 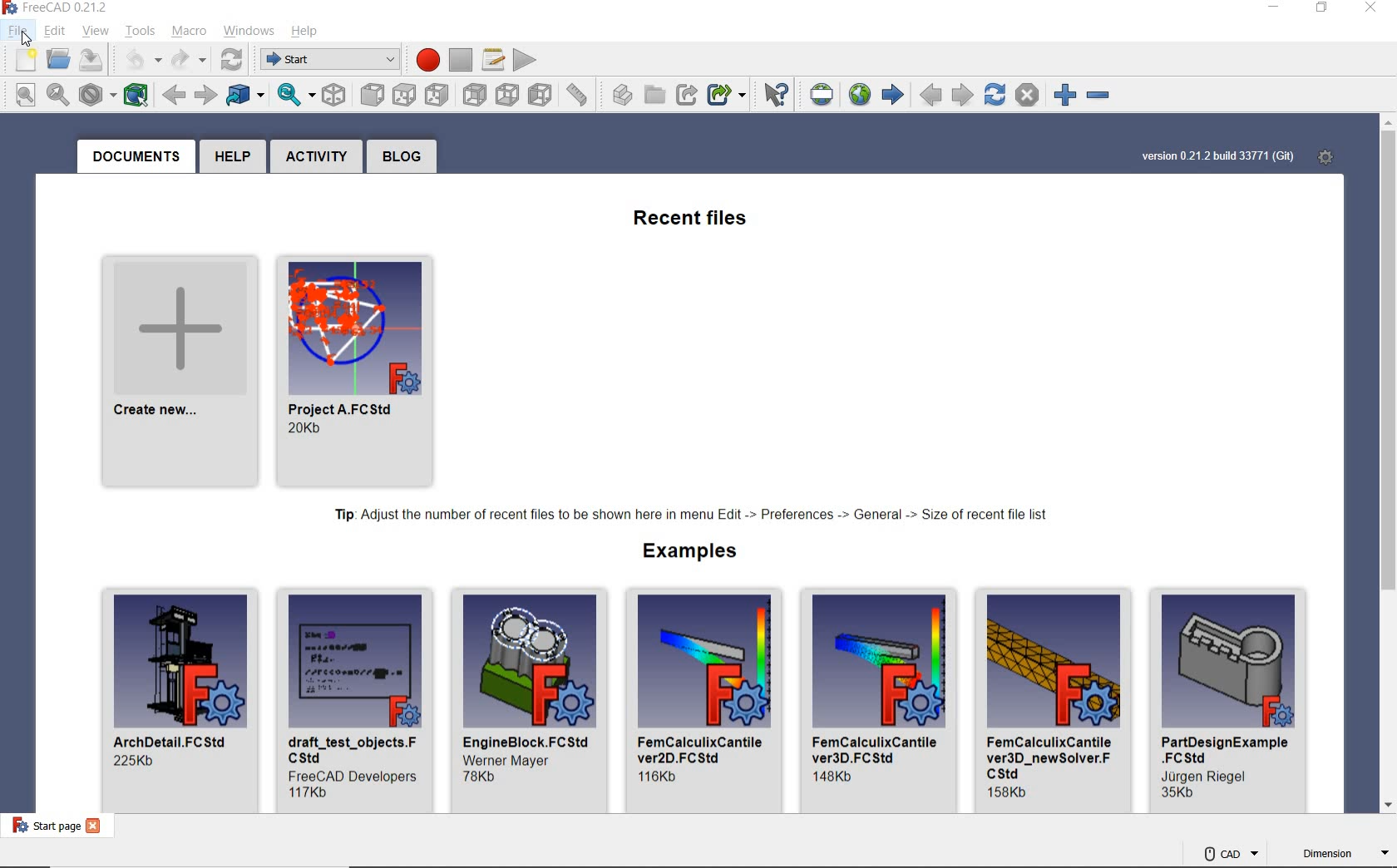 I want to click on SYSTEM NAME, so click(x=68, y=8).